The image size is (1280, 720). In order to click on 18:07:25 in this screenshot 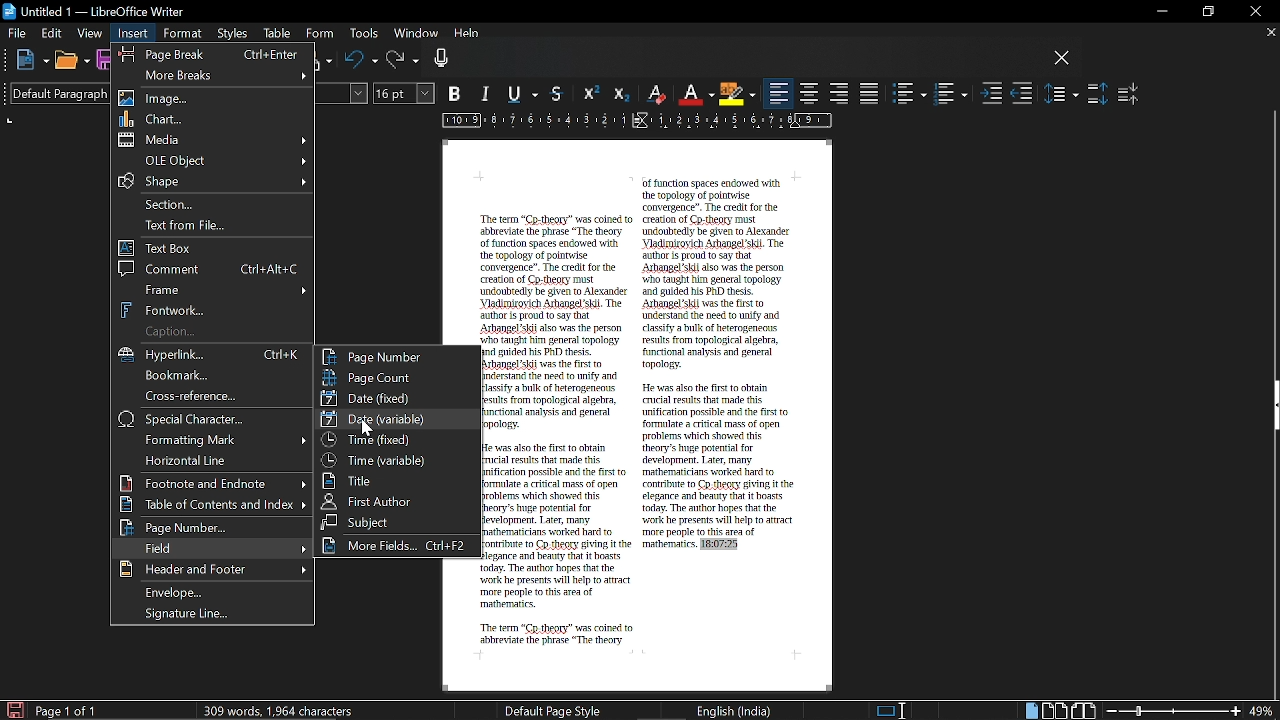, I will do `click(719, 545)`.